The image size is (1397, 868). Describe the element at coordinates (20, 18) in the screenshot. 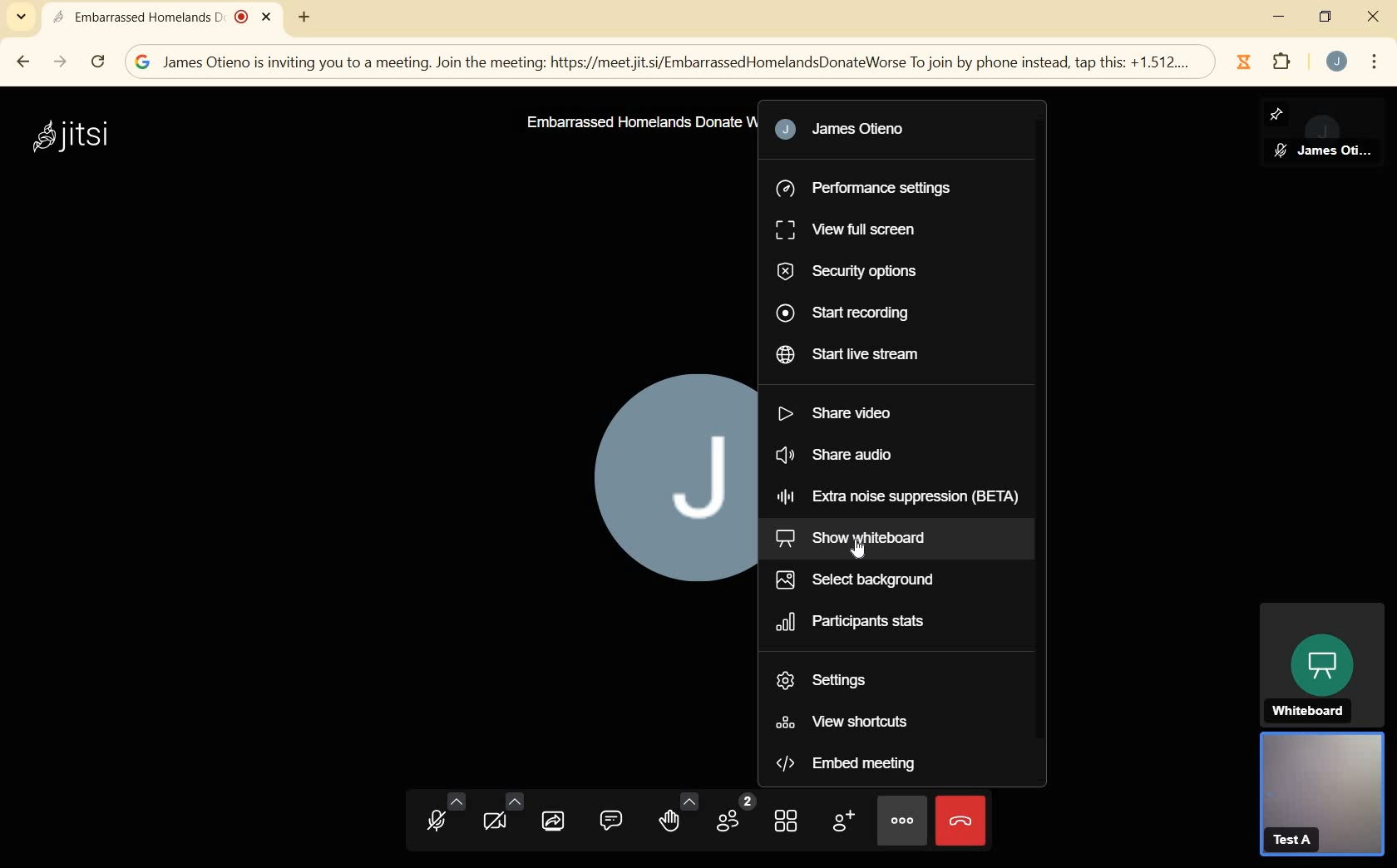

I see `SEARCH TABS` at that location.